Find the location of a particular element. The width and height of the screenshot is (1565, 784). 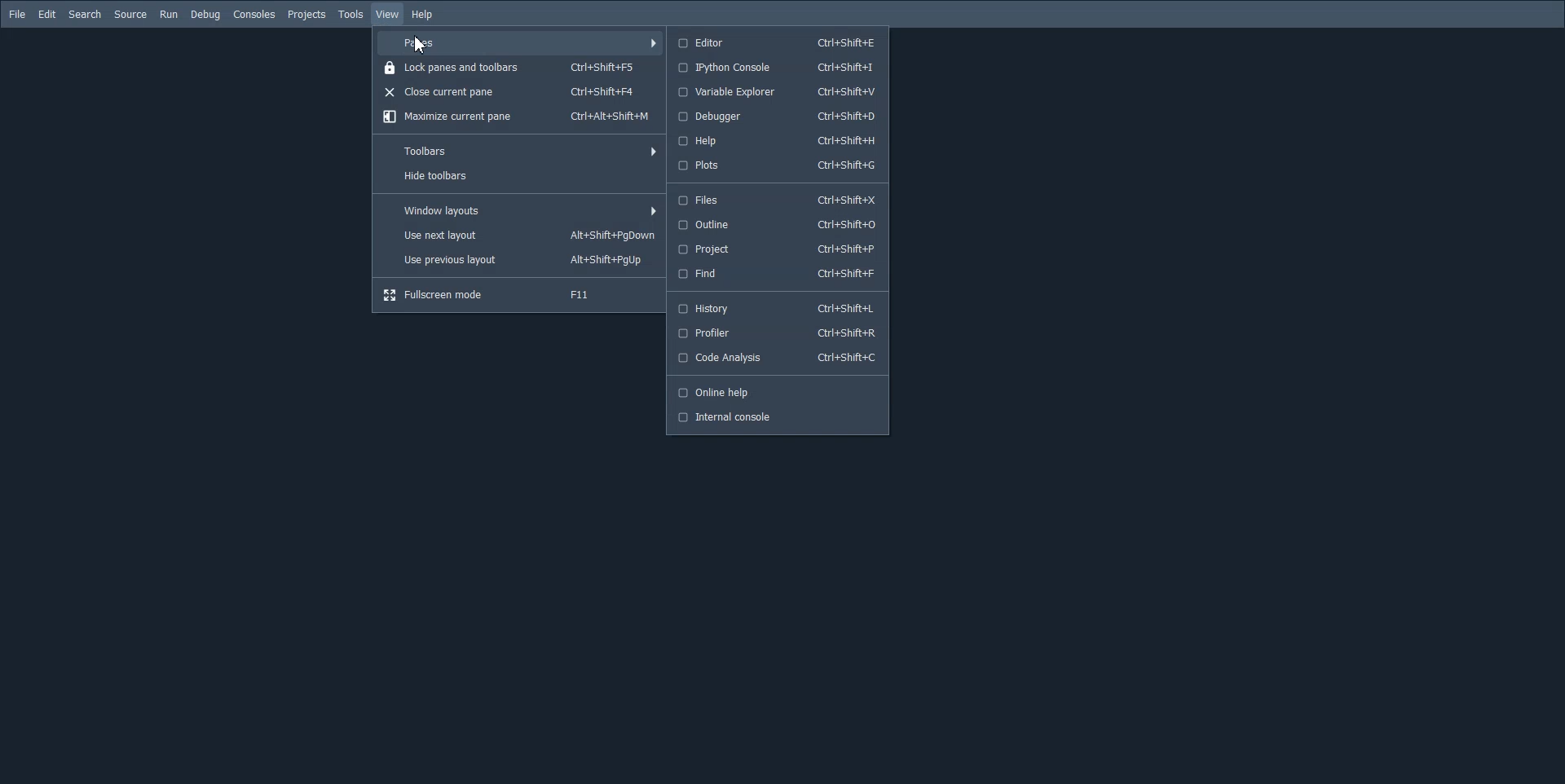

Files is located at coordinates (779, 200).